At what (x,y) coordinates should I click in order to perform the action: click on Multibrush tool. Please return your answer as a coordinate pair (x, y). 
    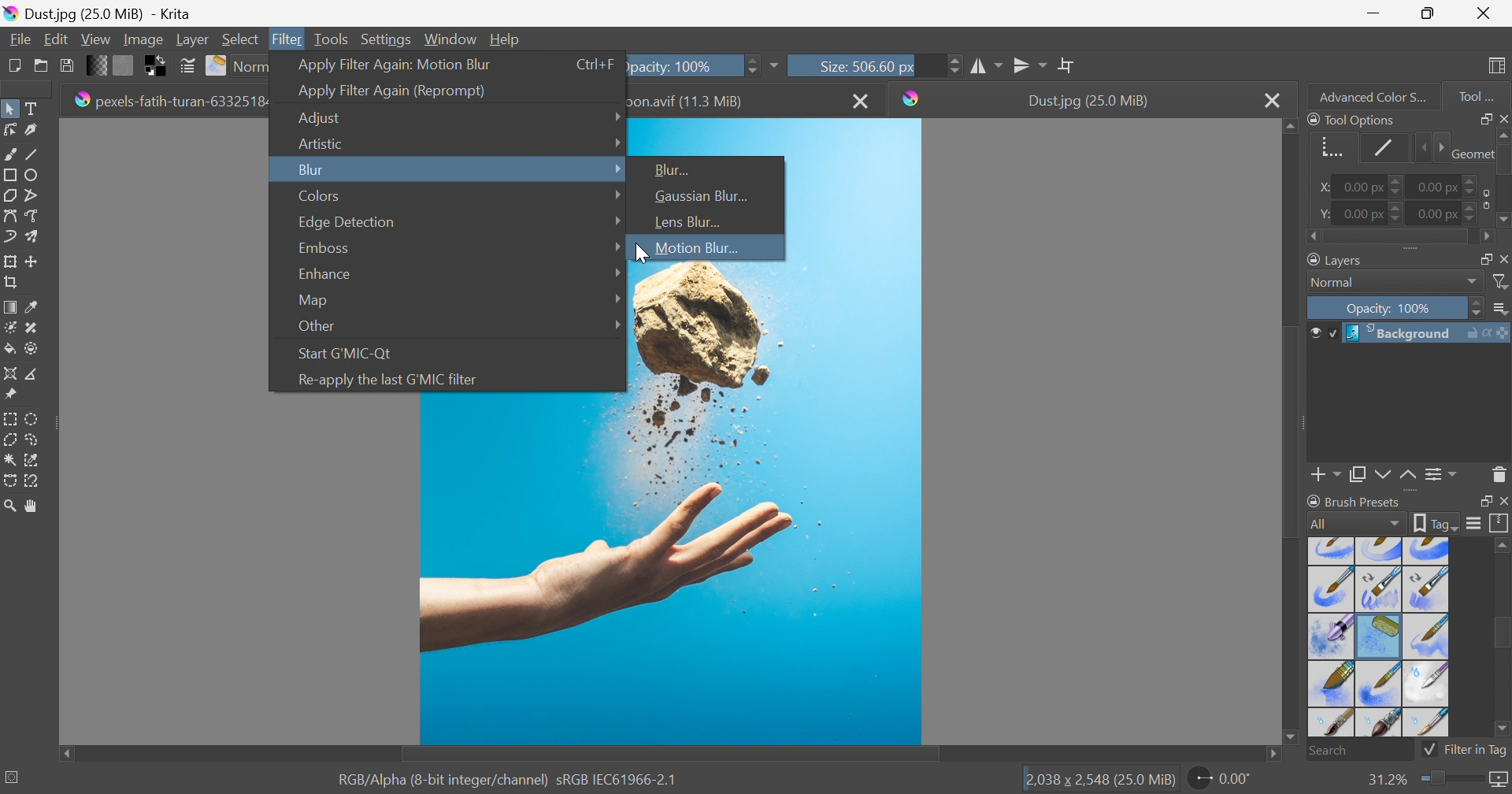
    Looking at the image, I should click on (37, 236).